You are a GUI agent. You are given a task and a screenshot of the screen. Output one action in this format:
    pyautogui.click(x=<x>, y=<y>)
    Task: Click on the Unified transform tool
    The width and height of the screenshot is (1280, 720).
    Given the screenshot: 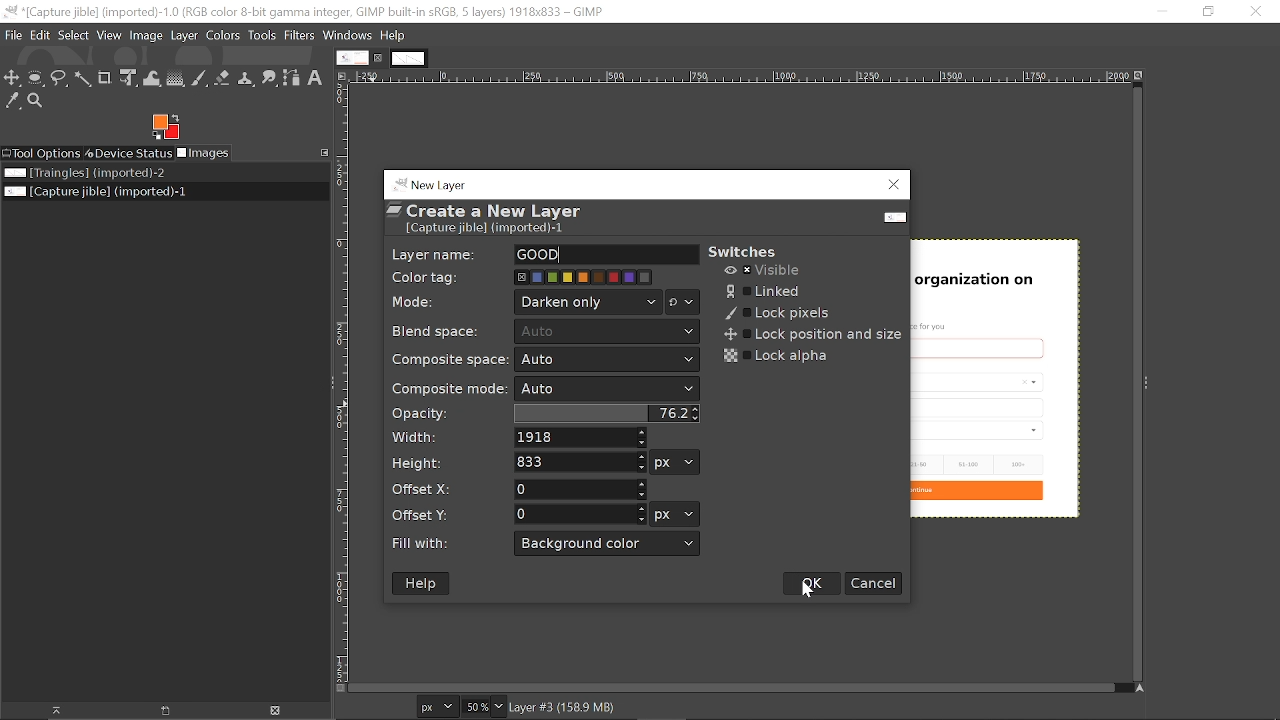 What is the action you would take?
    pyautogui.click(x=128, y=78)
    